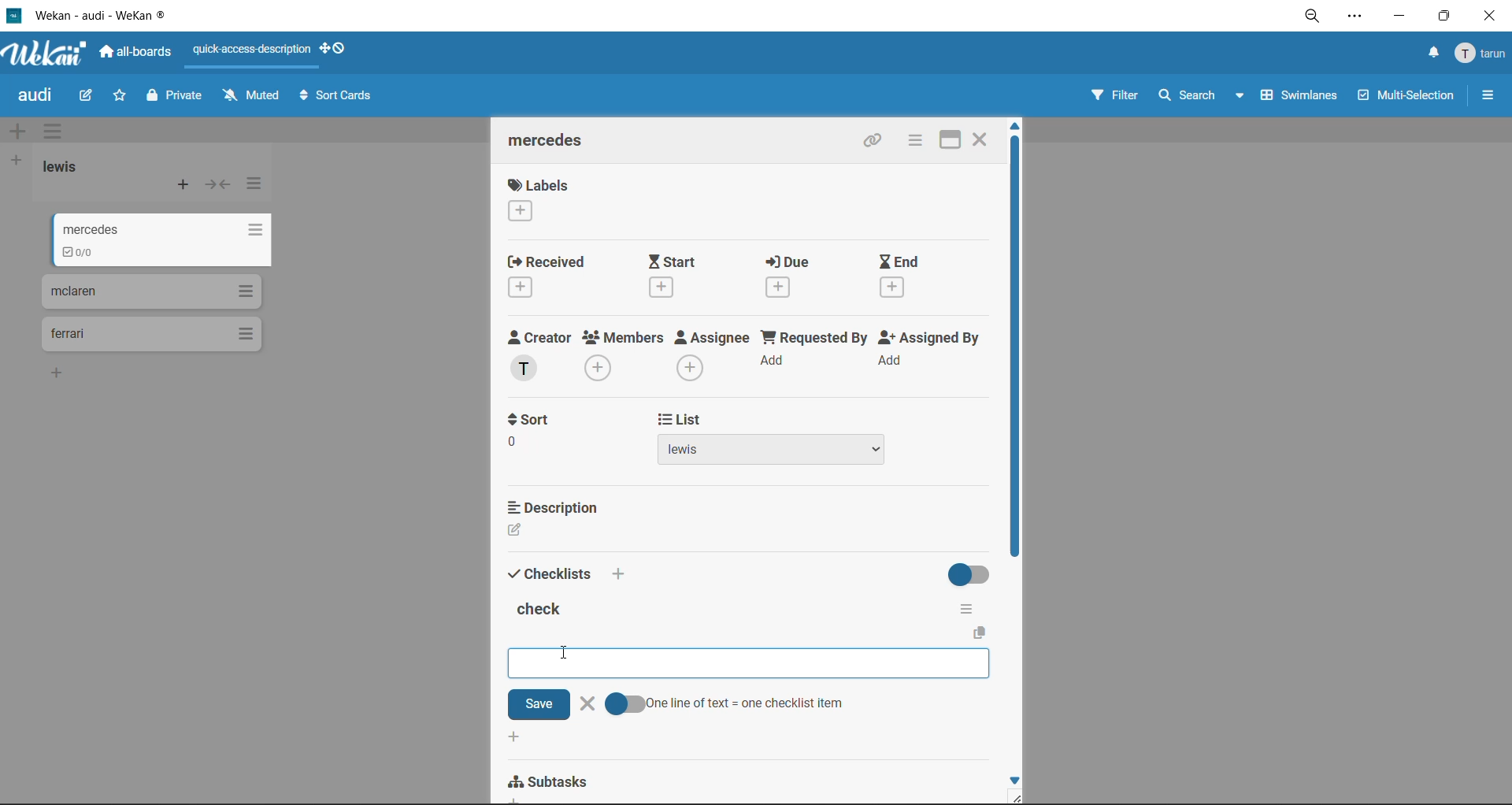 The height and width of the screenshot is (805, 1512). Describe the element at coordinates (543, 611) in the screenshot. I see `checklist title` at that location.